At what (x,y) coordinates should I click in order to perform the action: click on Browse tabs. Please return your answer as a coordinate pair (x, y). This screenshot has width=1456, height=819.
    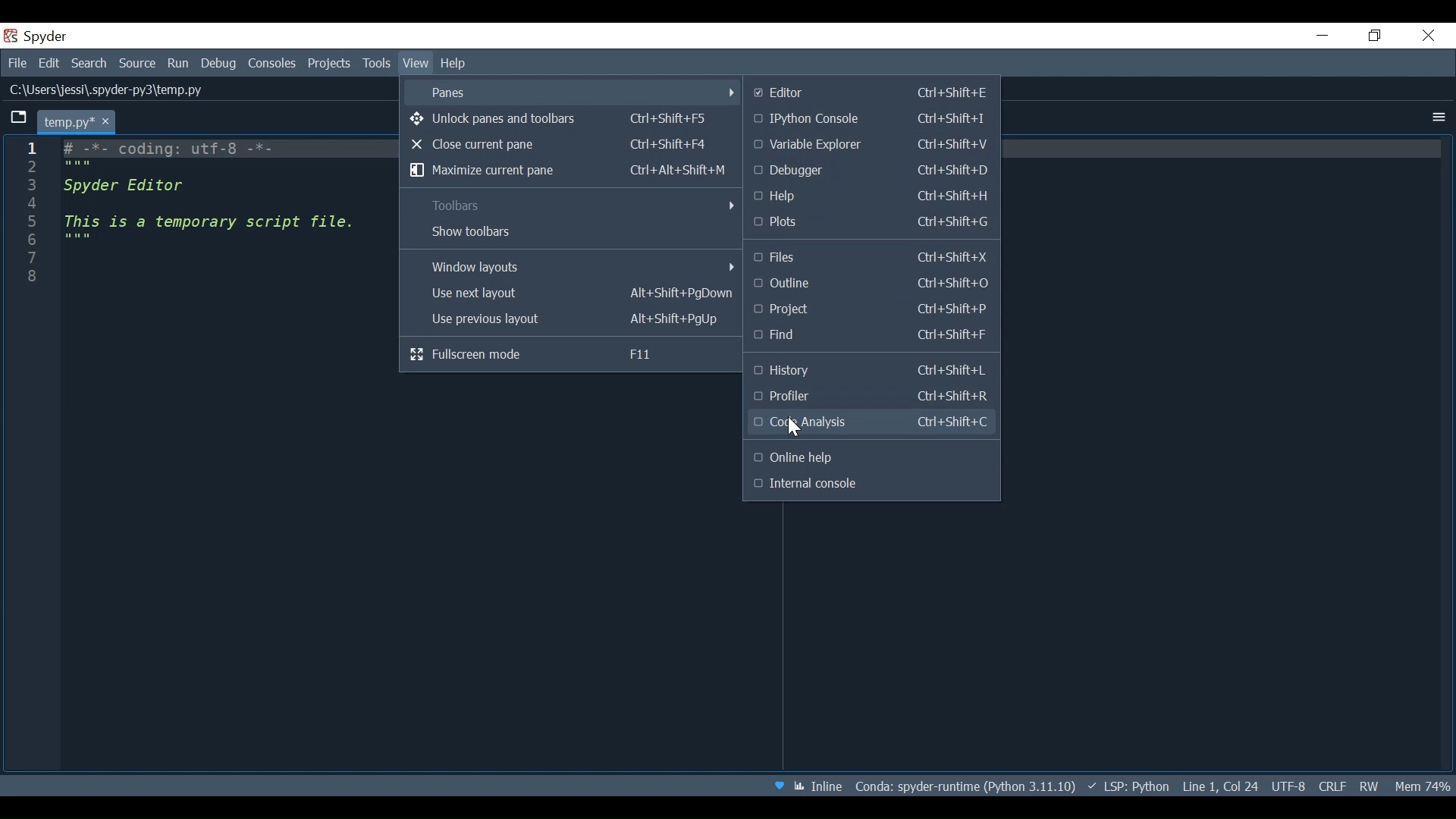
    Looking at the image, I should click on (19, 118).